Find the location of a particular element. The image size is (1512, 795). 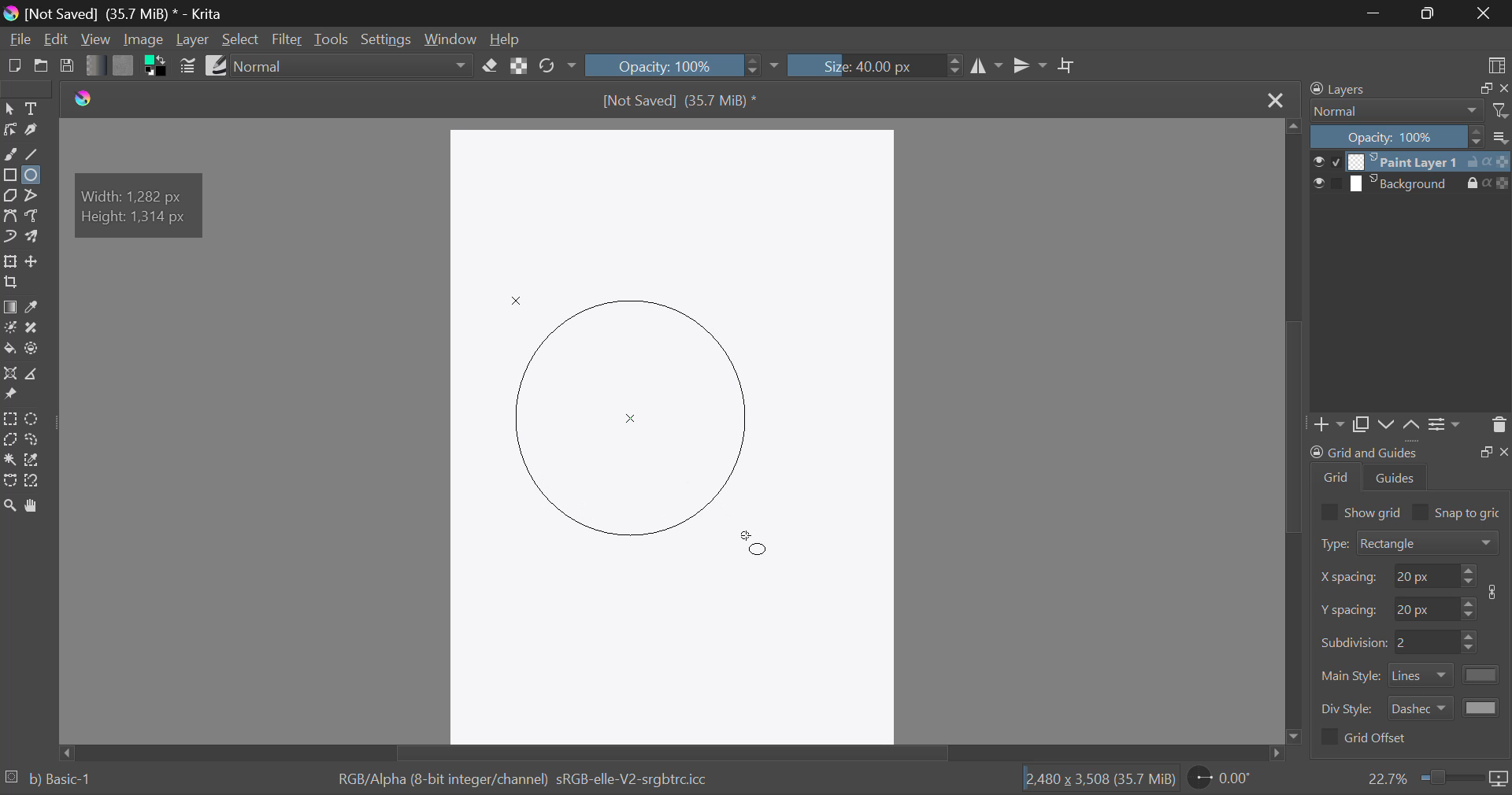

Mock Shape Generated is located at coordinates (632, 407).